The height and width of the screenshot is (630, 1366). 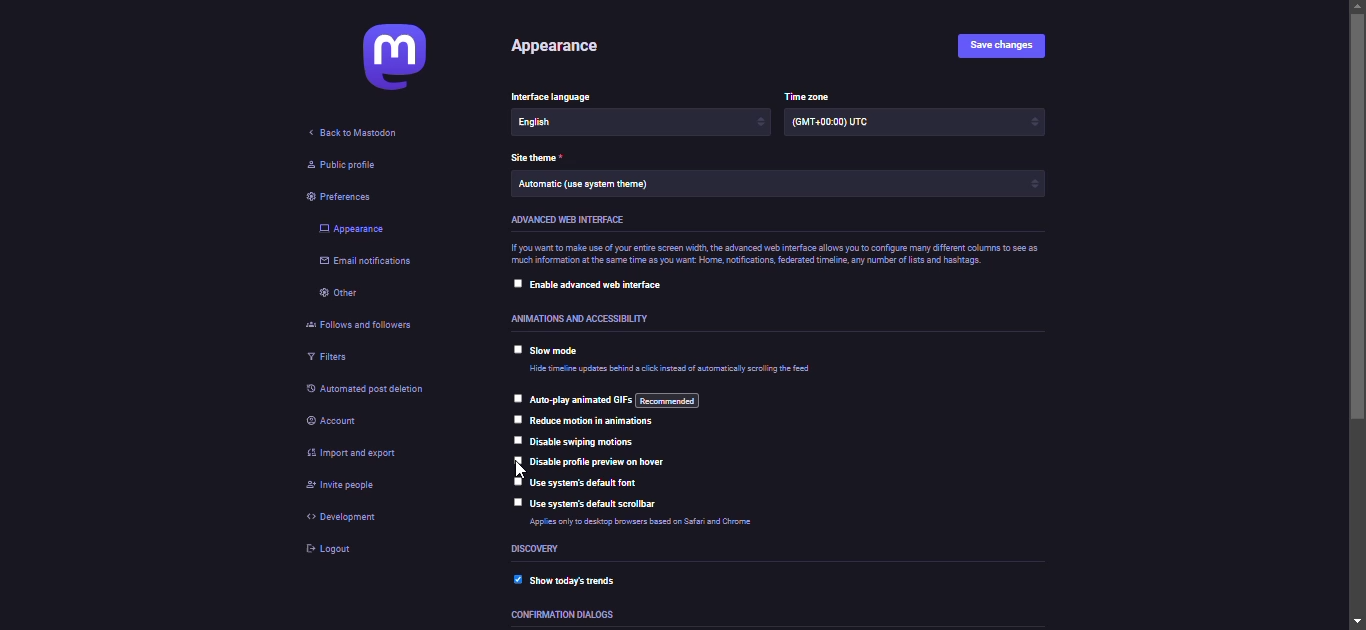 I want to click on time zone, so click(x=804, y=94).